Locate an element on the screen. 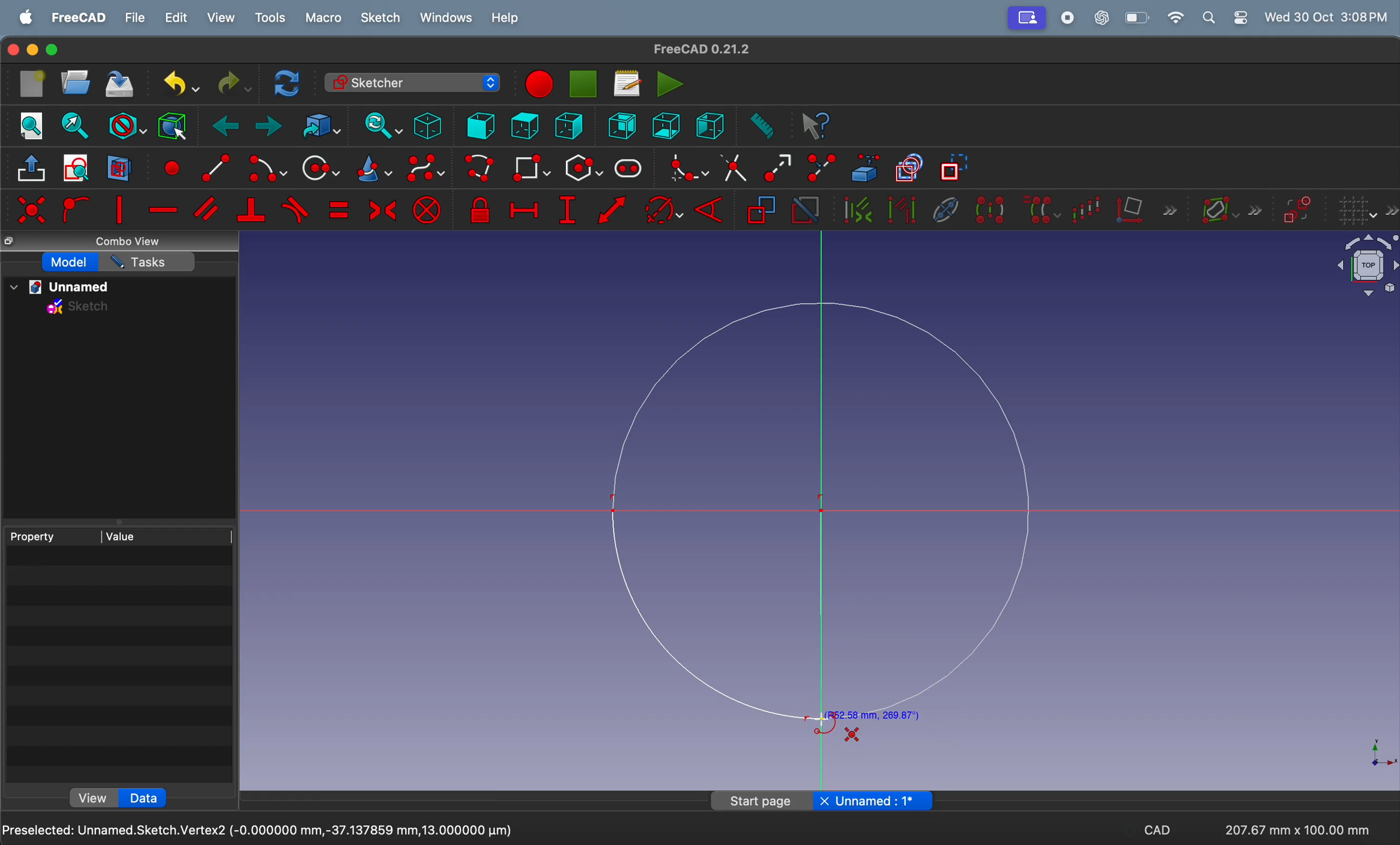 Image resolution: width=1400 pixels, height=845 pixels. create ploy line is located at coordinates (481, 169).